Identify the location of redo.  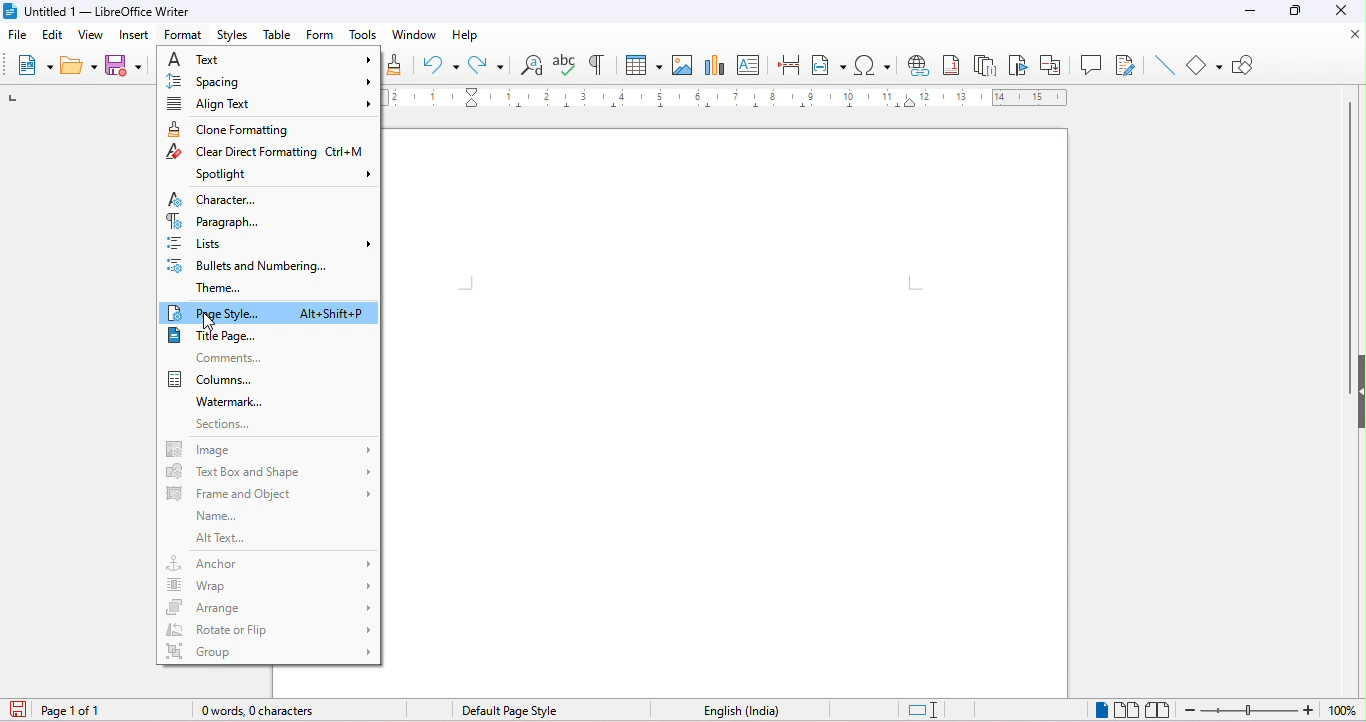
(488, 64).